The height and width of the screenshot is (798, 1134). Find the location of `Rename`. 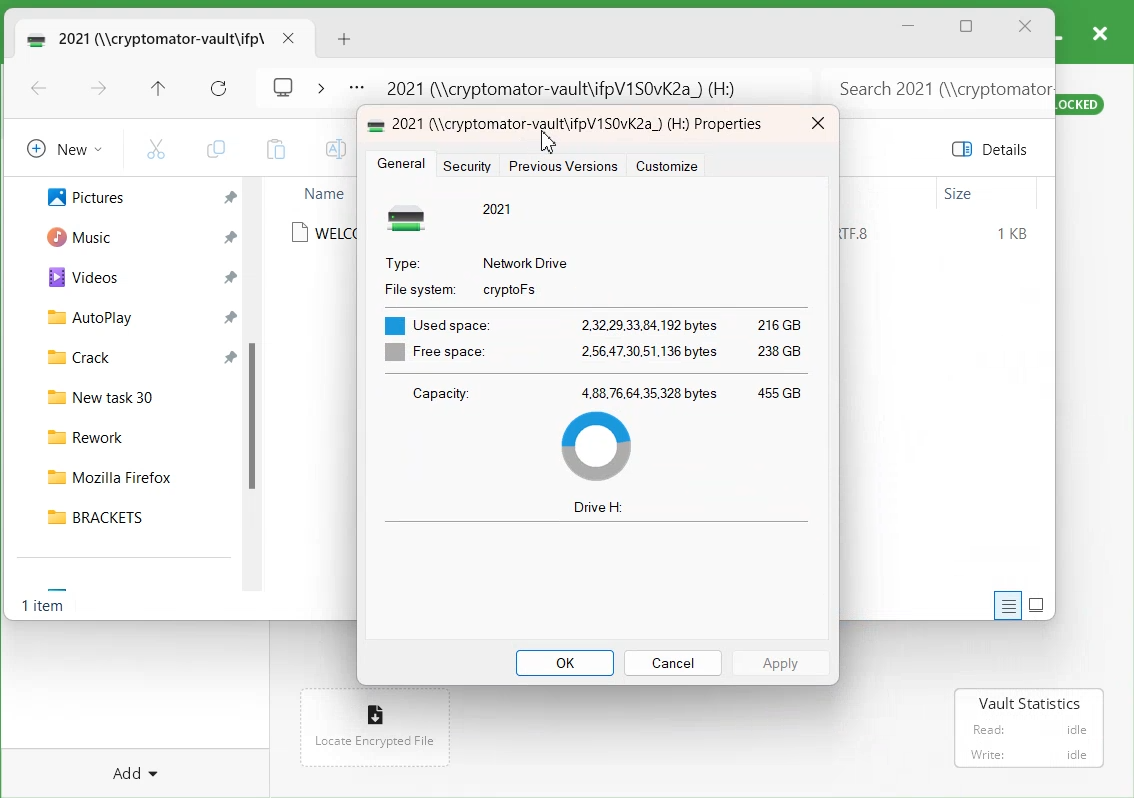

Rename is located at coordinates (333, 149).